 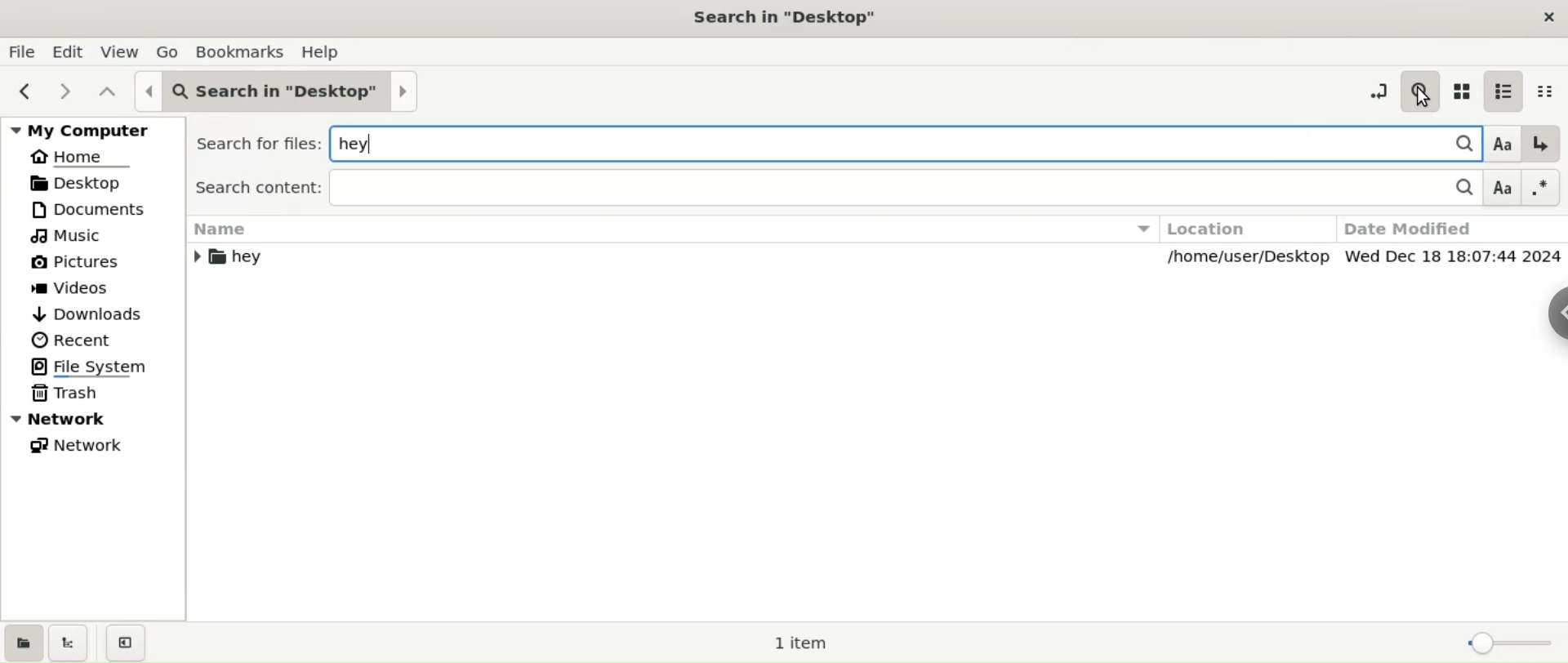 I want to click on go, so click(x=167, y=52).